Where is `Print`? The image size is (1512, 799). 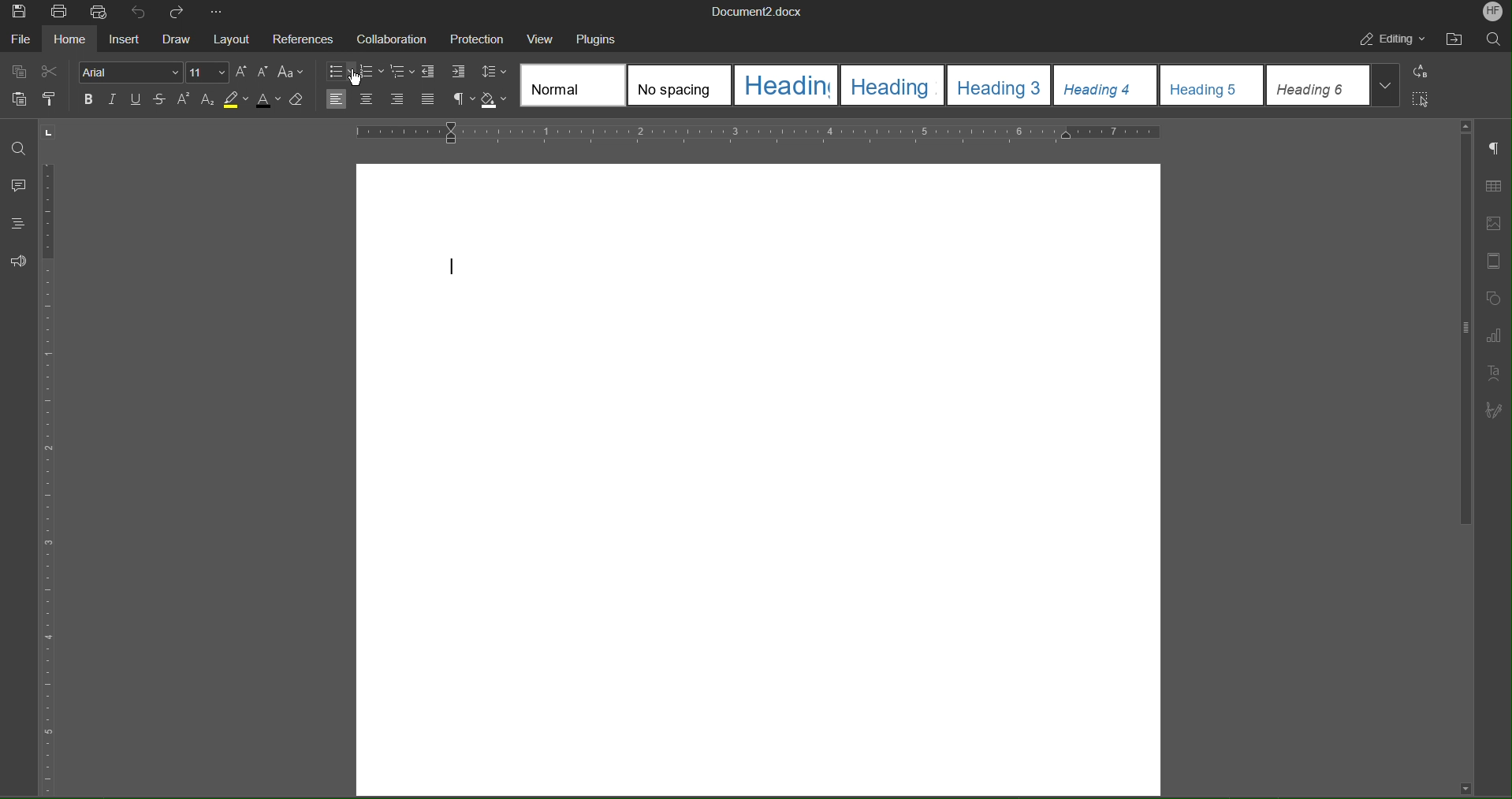
Print is located at coordinates (60, 14).